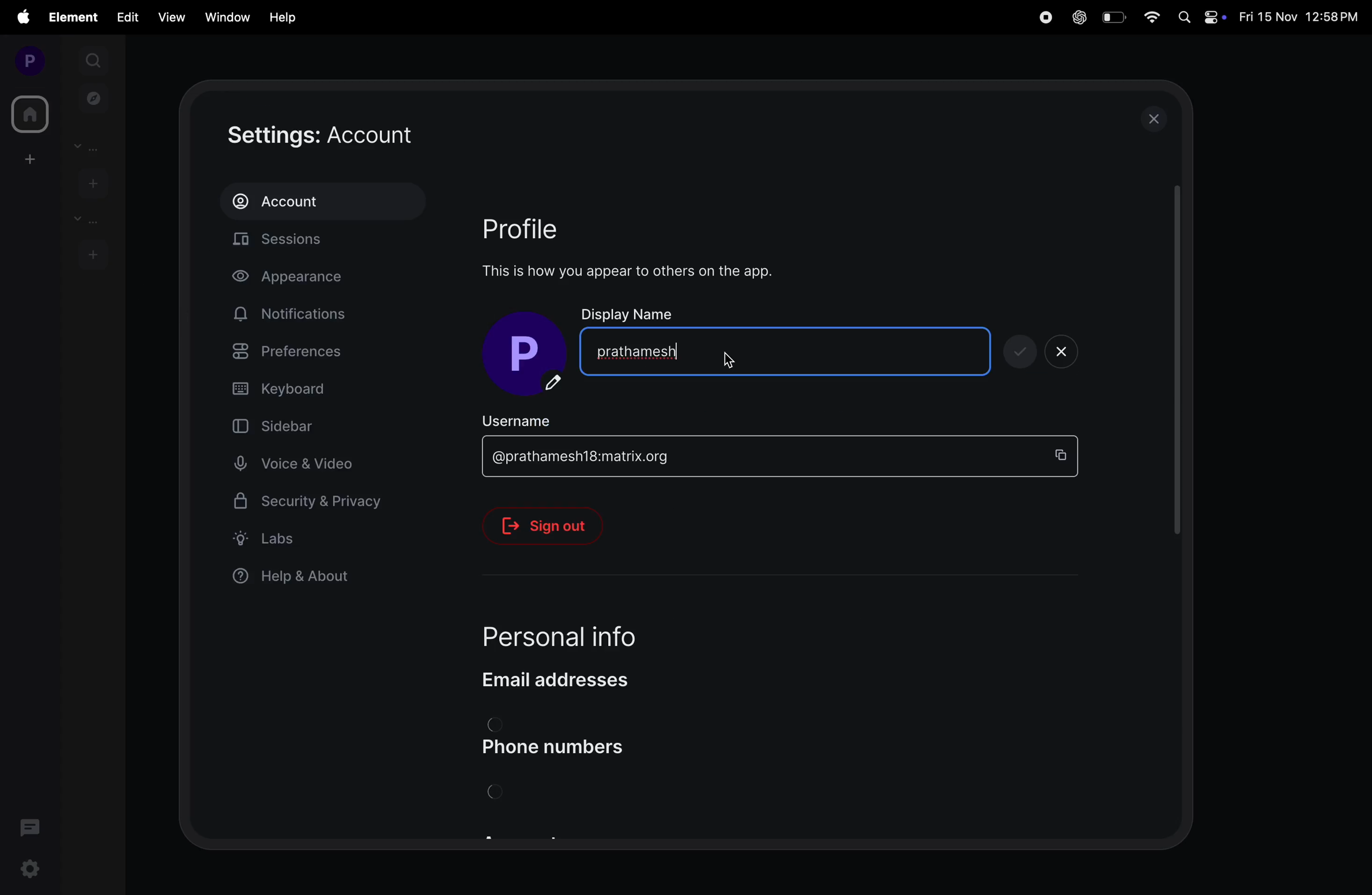 The width and height of the screenshot is (1372, 895). I want to click on close, so click(1158, 118).